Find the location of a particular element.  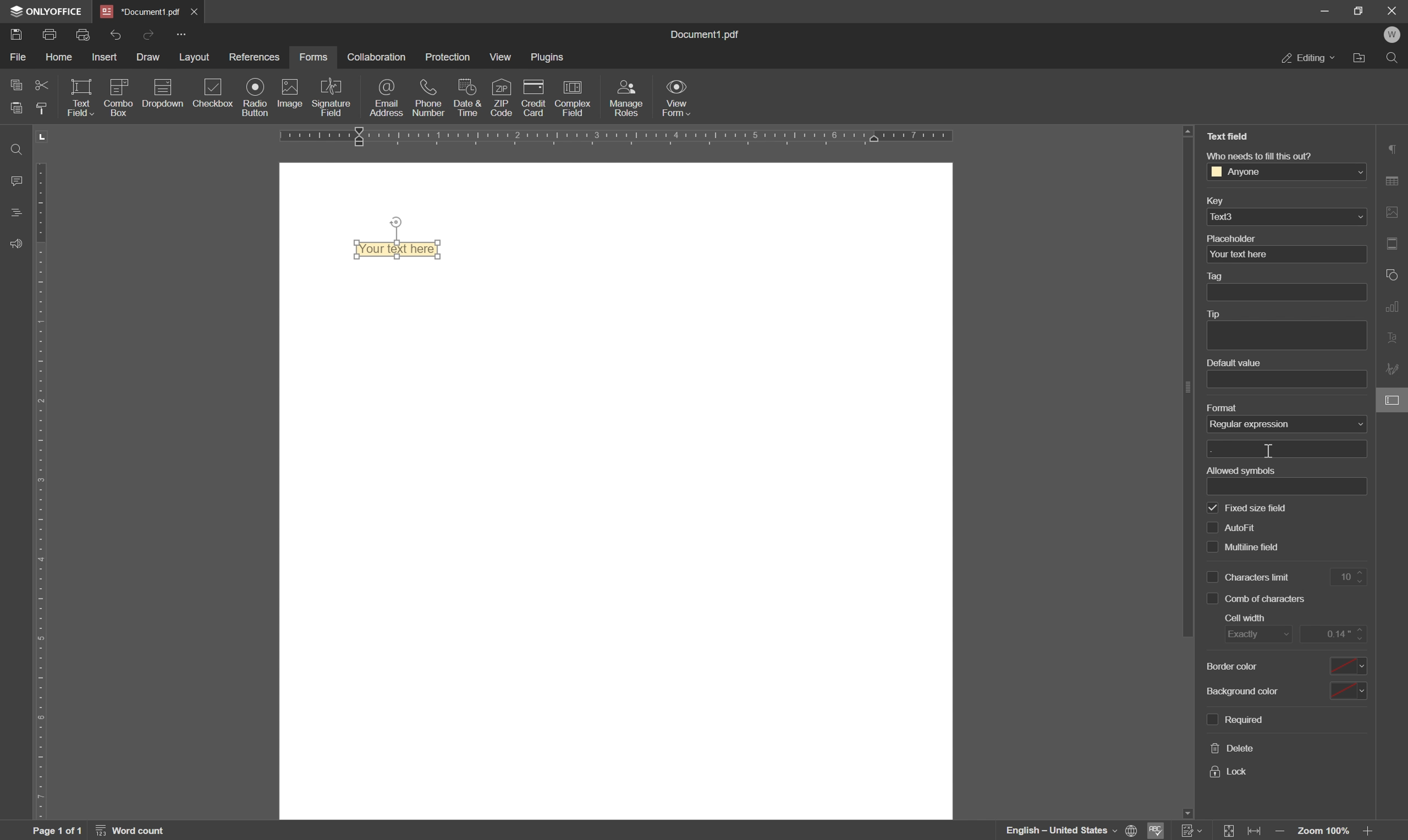

comb of characters is located at coordinates (1268, 599).